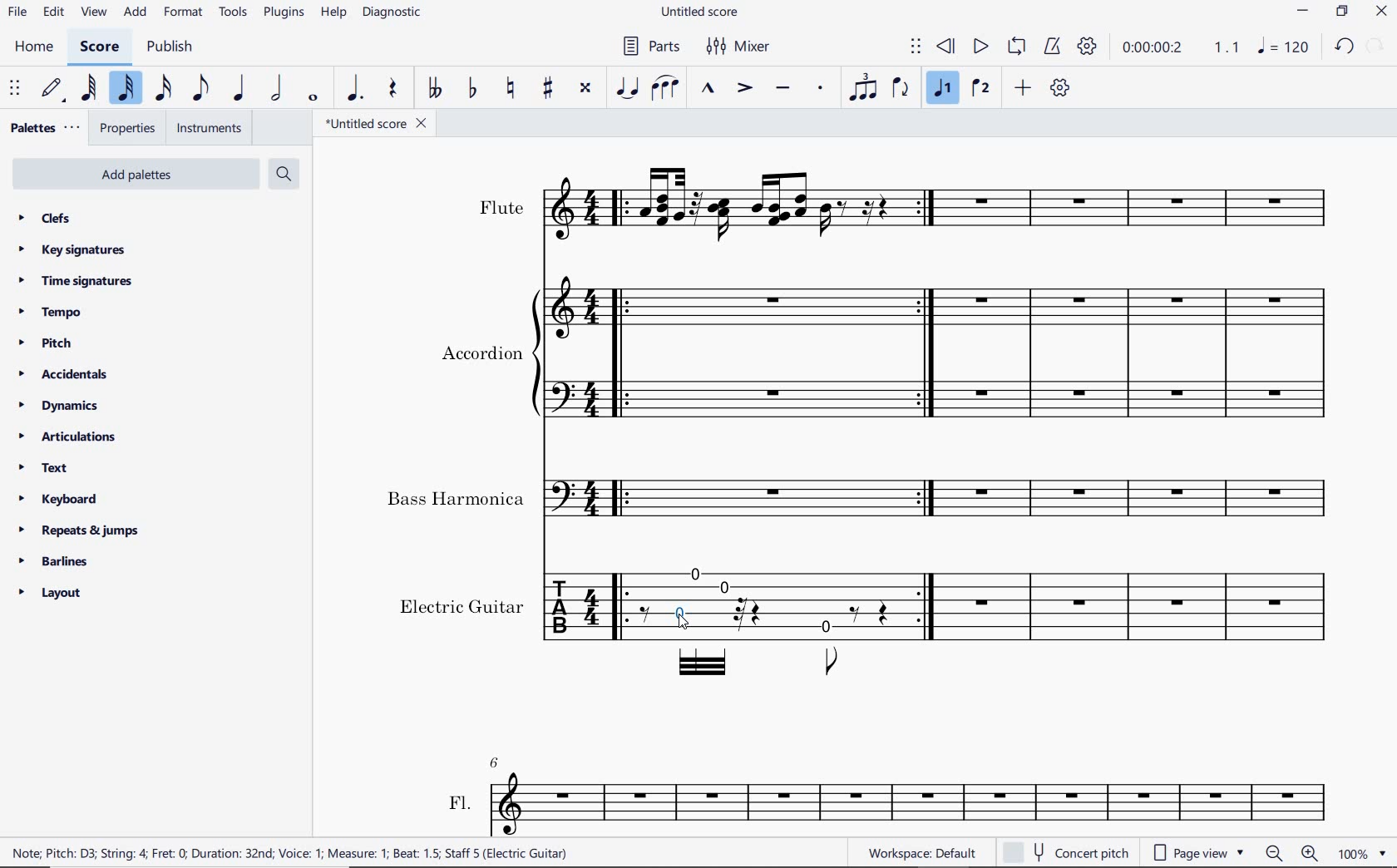 Image resolution: width=1397 pixels, height=868 pixels. Describe the element at coordinates (282, 13) in the screenshot. I see `plugins` at that location.